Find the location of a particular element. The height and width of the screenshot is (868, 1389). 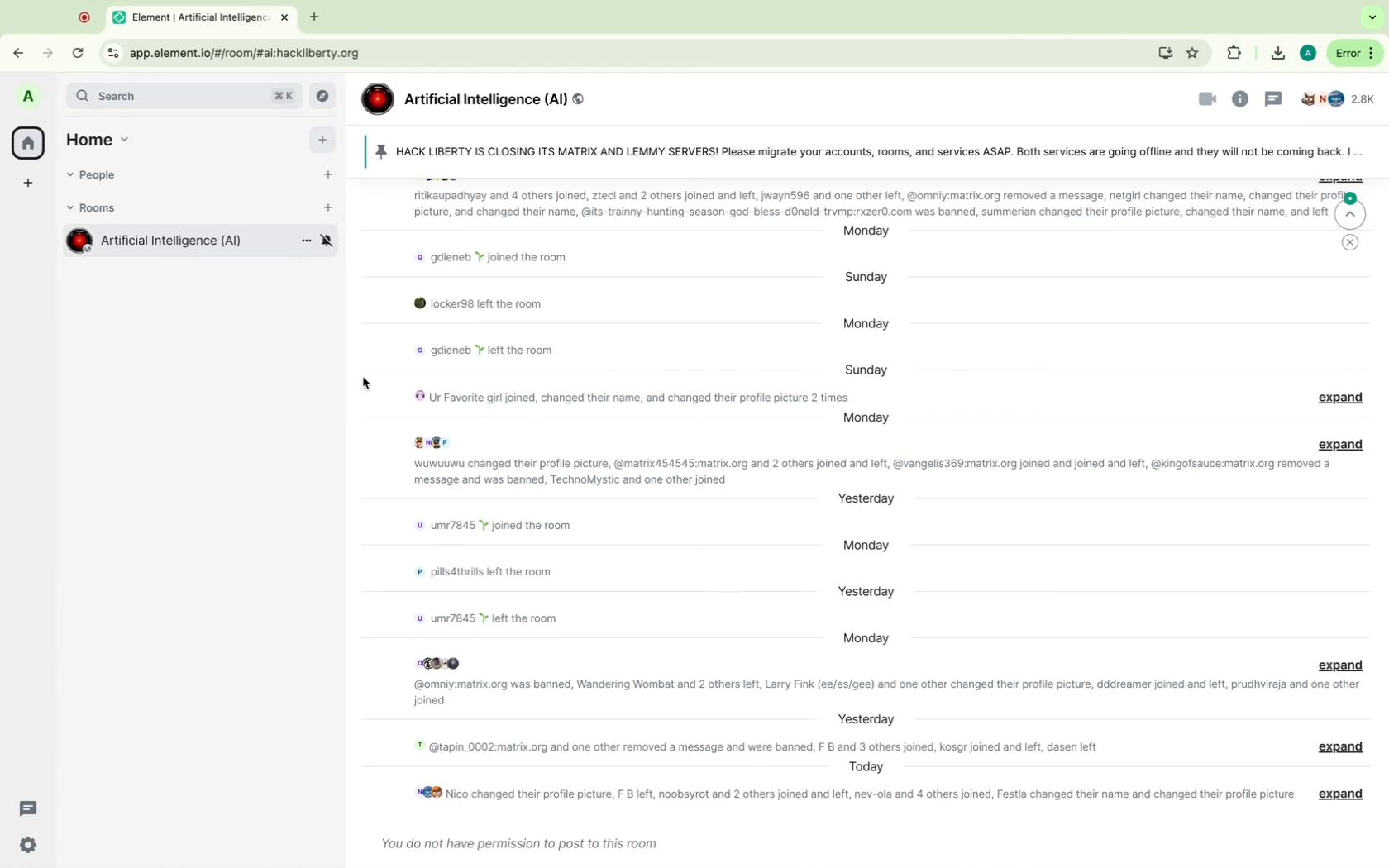

message is located at coordinates (497, 615).